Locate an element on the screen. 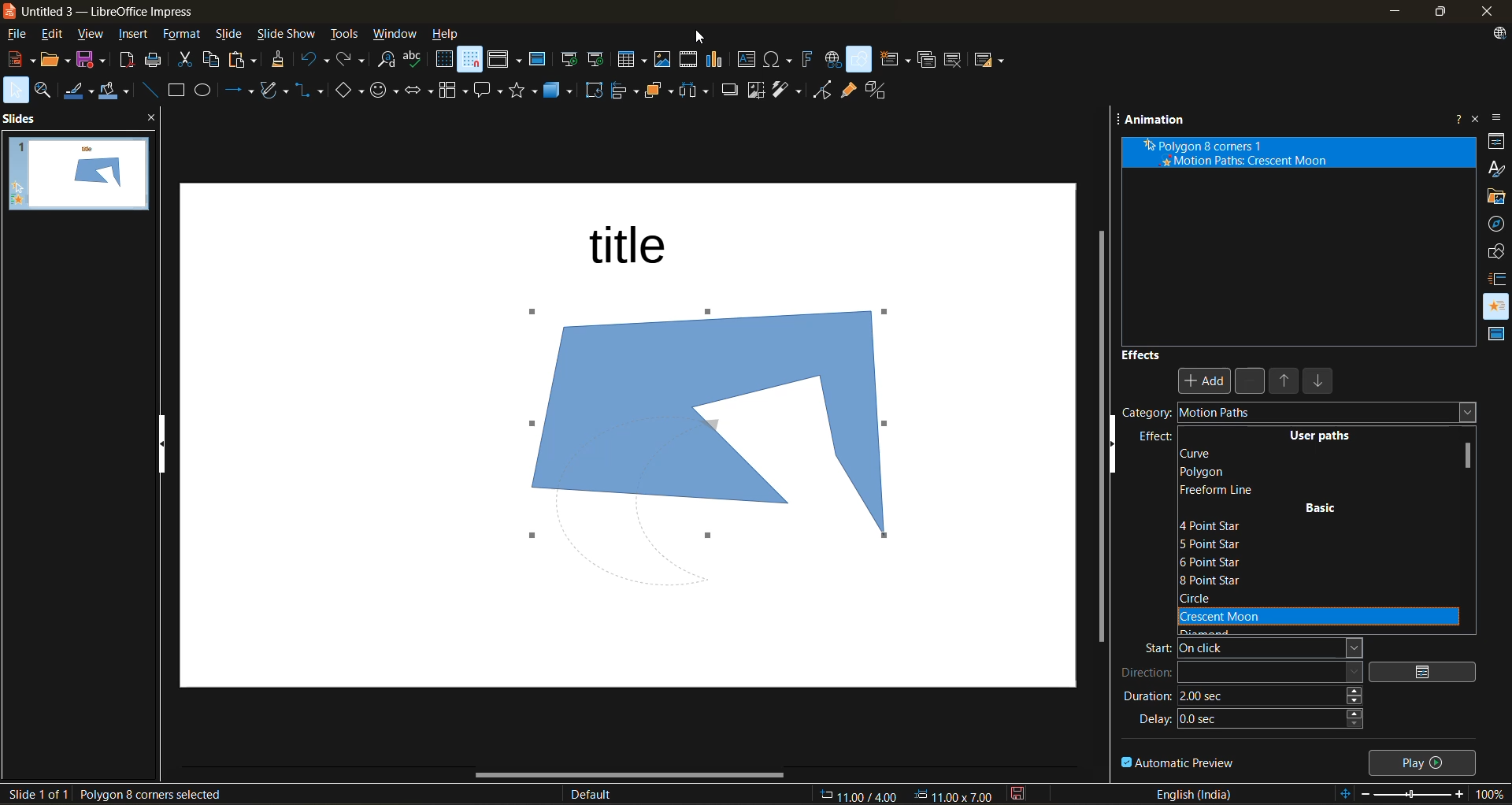  insert image is located at coordinates (661, 59).